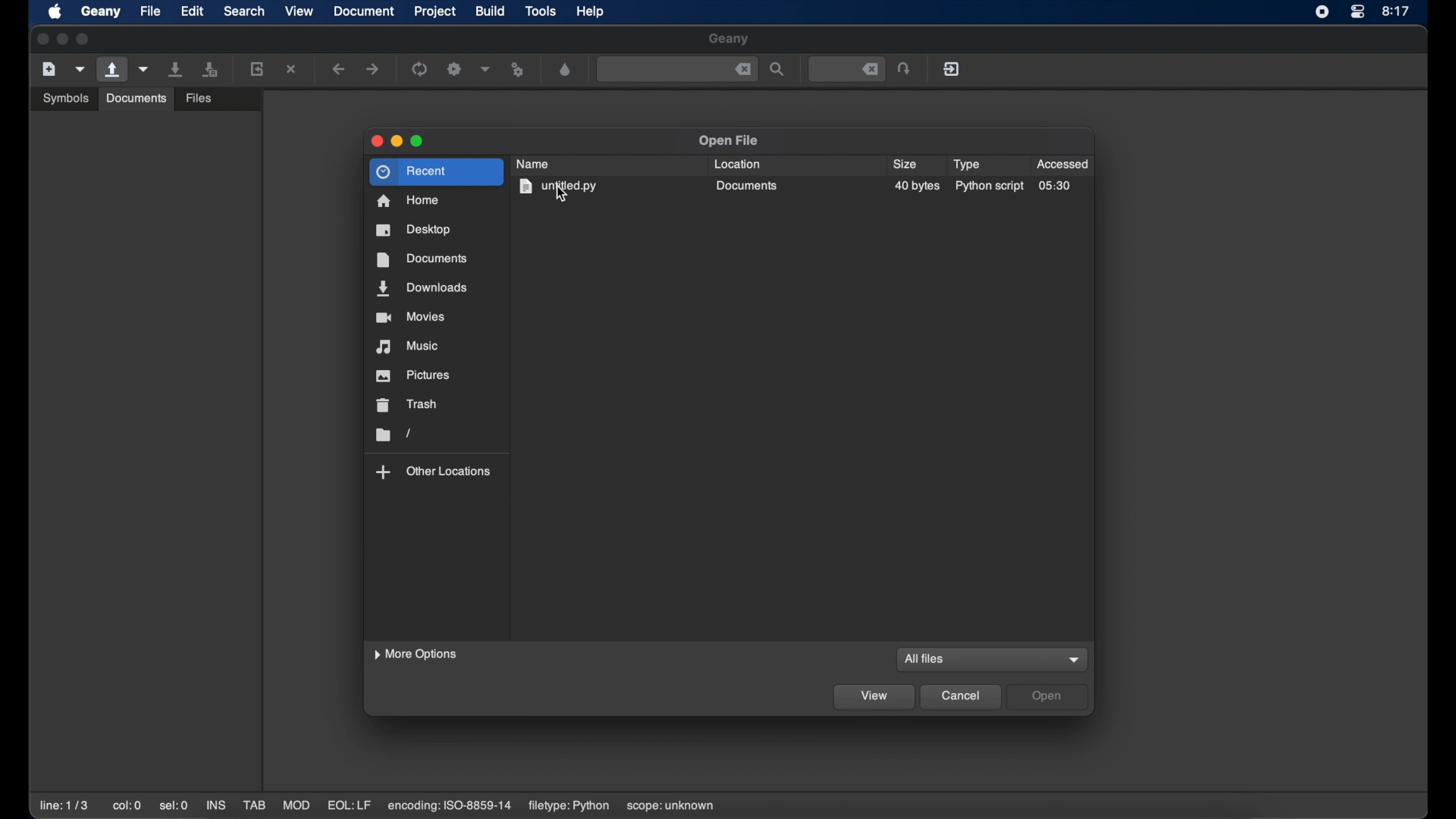 This screenshot has width=1456, height=819. What do you see at coordinates (1056, 187) in the screenshot?
I see `5.30` at bounding box center [1056, 187].